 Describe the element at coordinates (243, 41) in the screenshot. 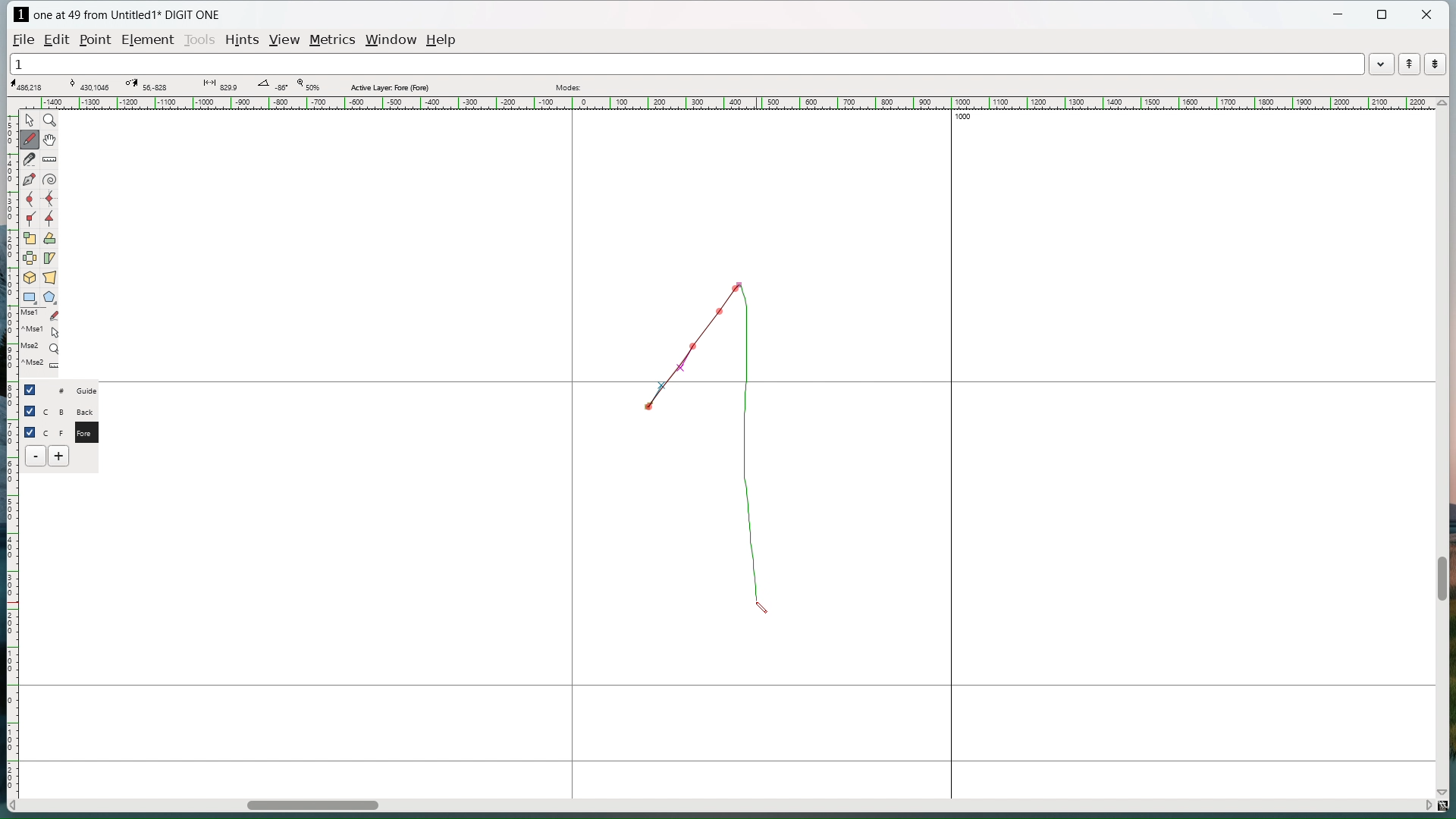

I see `hints` at that location.